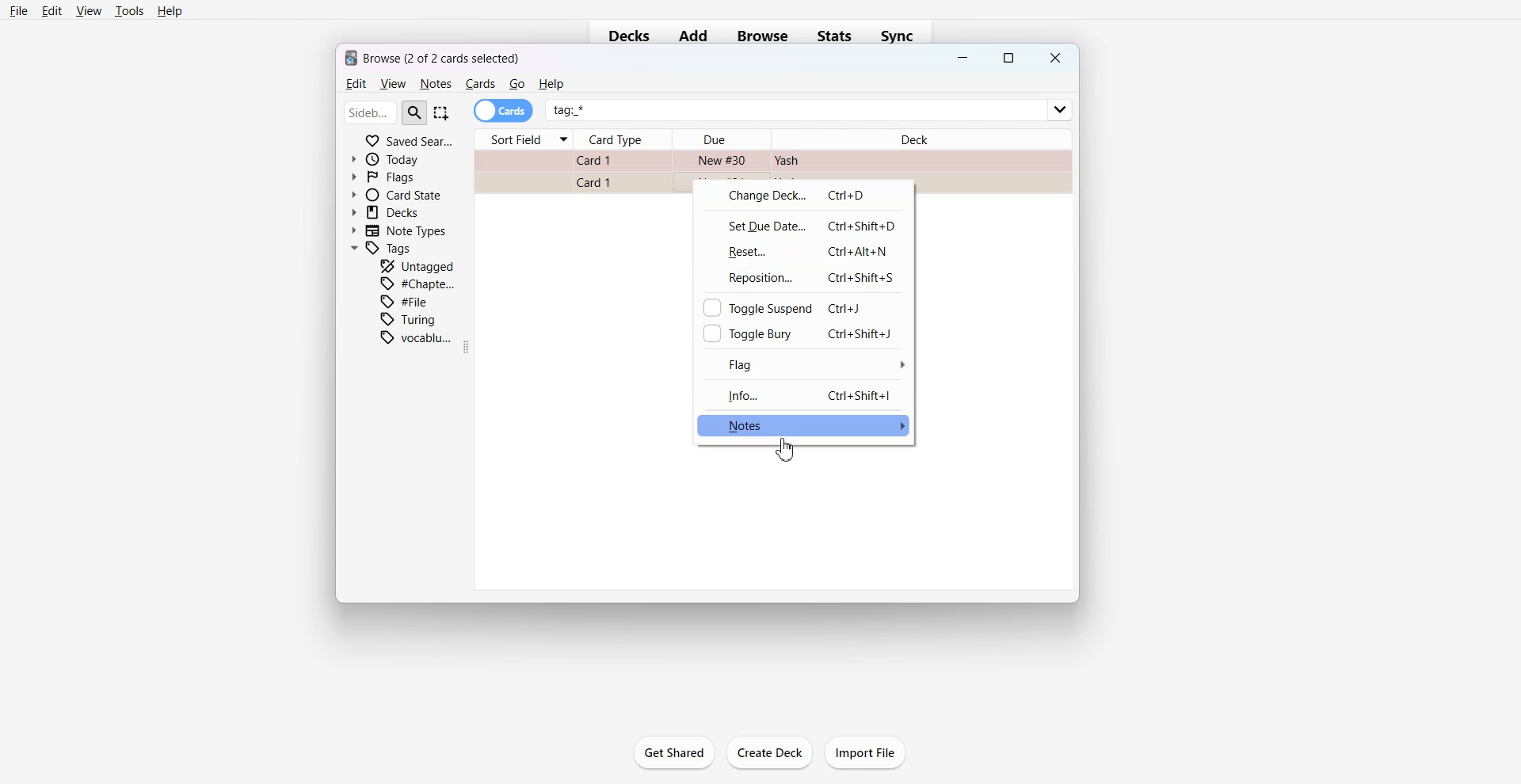  Describe the element at coordinates (693, 36) in the screenshot. I see `Add` at that location.